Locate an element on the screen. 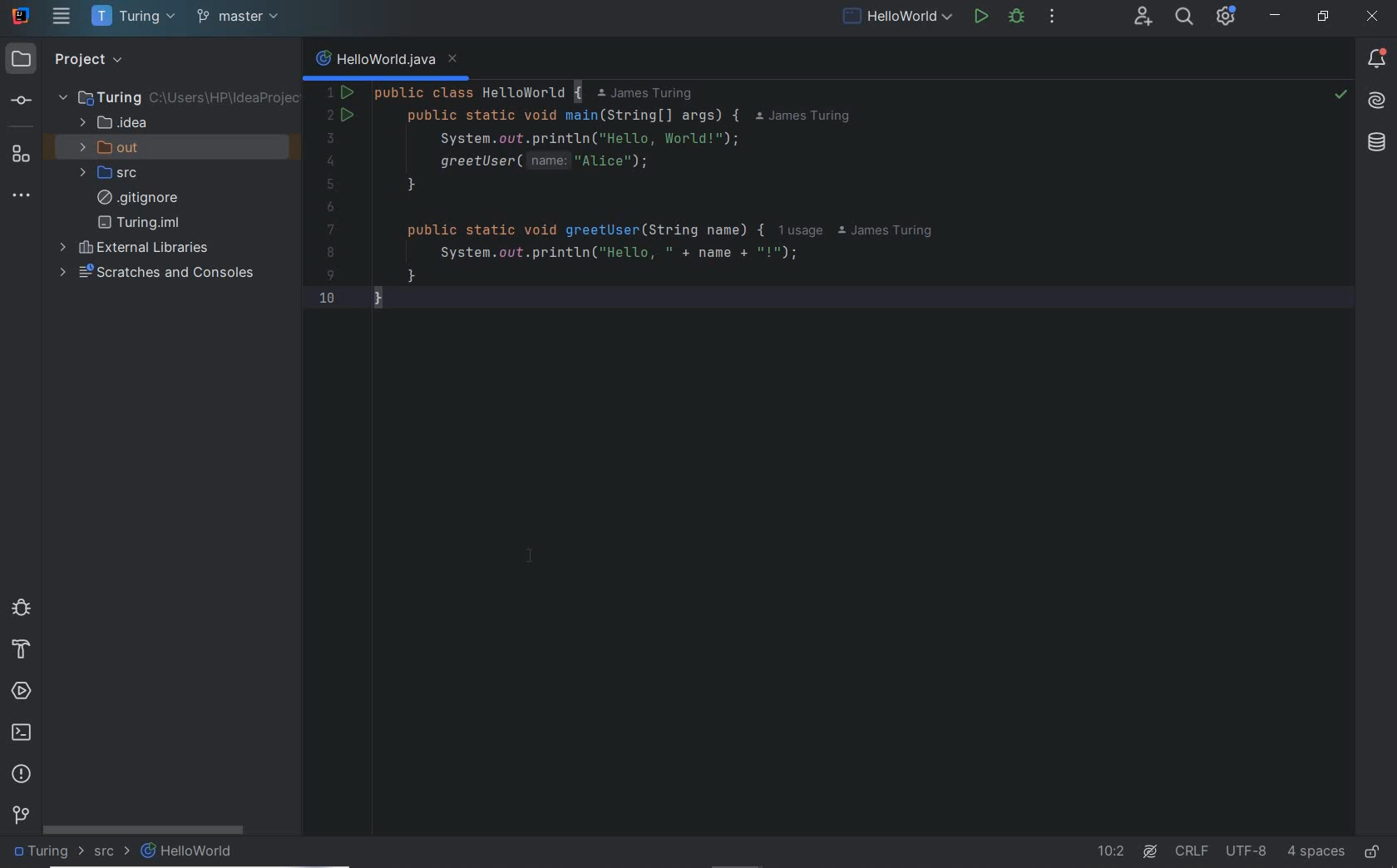 This screenshot has width=1397, height=868. more tool windows is located at coordinates (22, 196).